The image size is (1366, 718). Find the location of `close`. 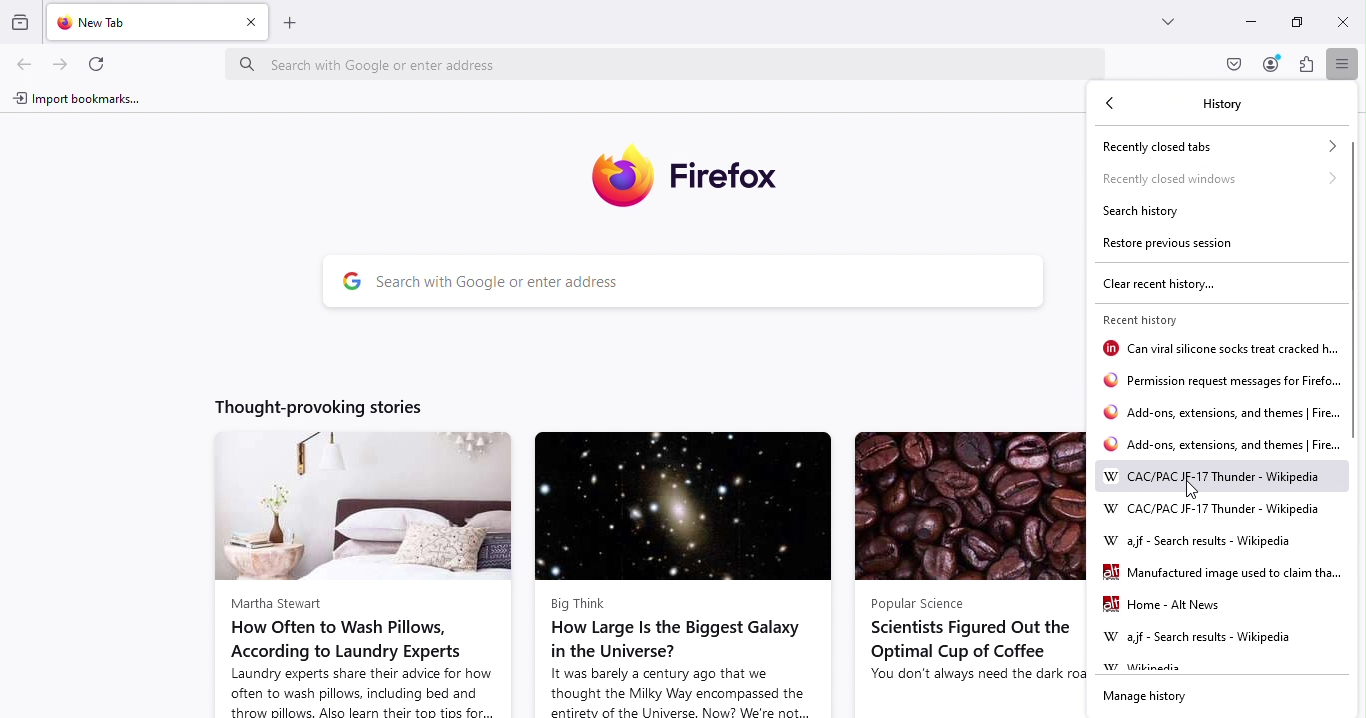

close is located at coordinates (1341, 23).